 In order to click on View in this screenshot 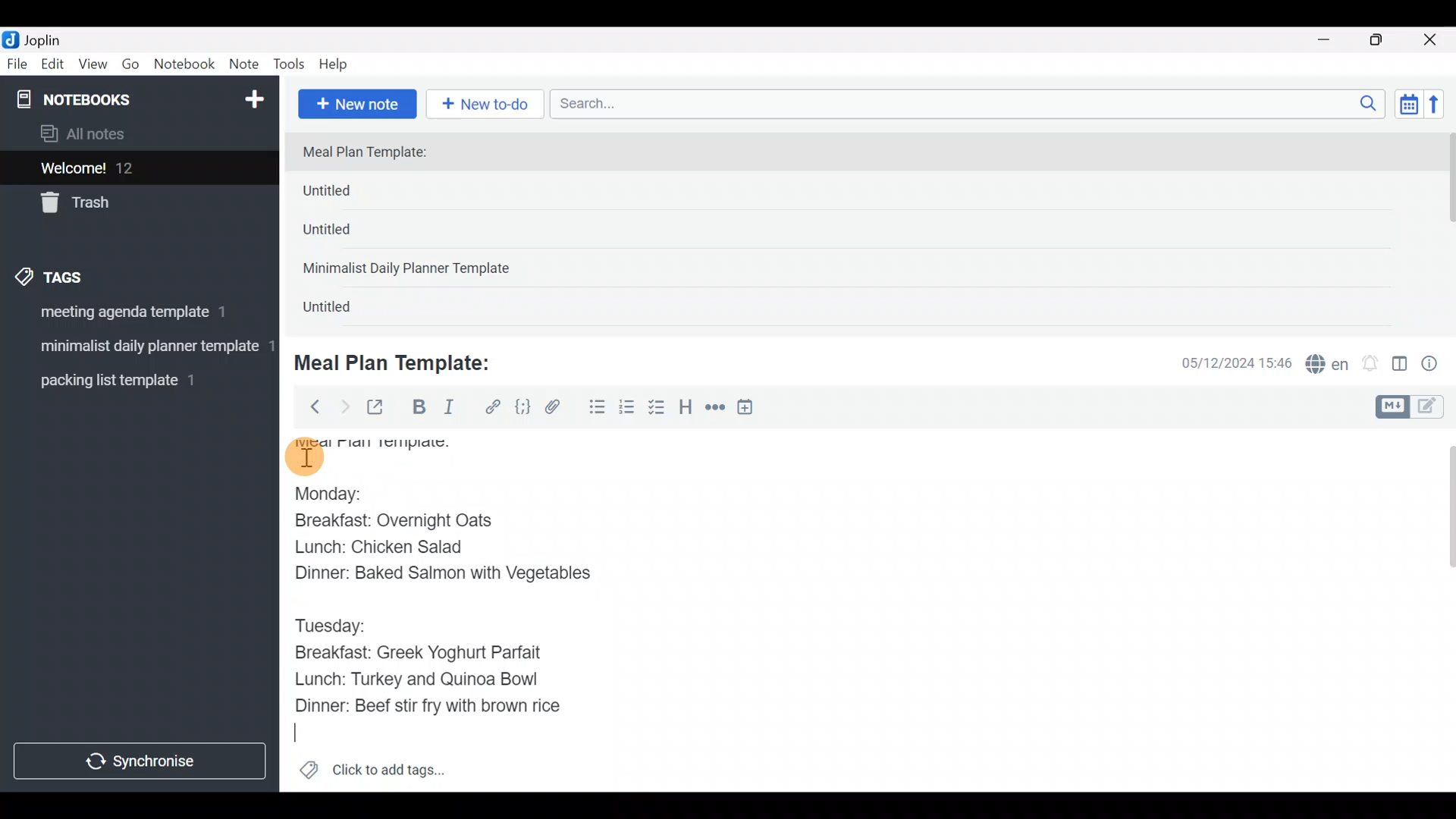, I will do `click(93, 67)`.